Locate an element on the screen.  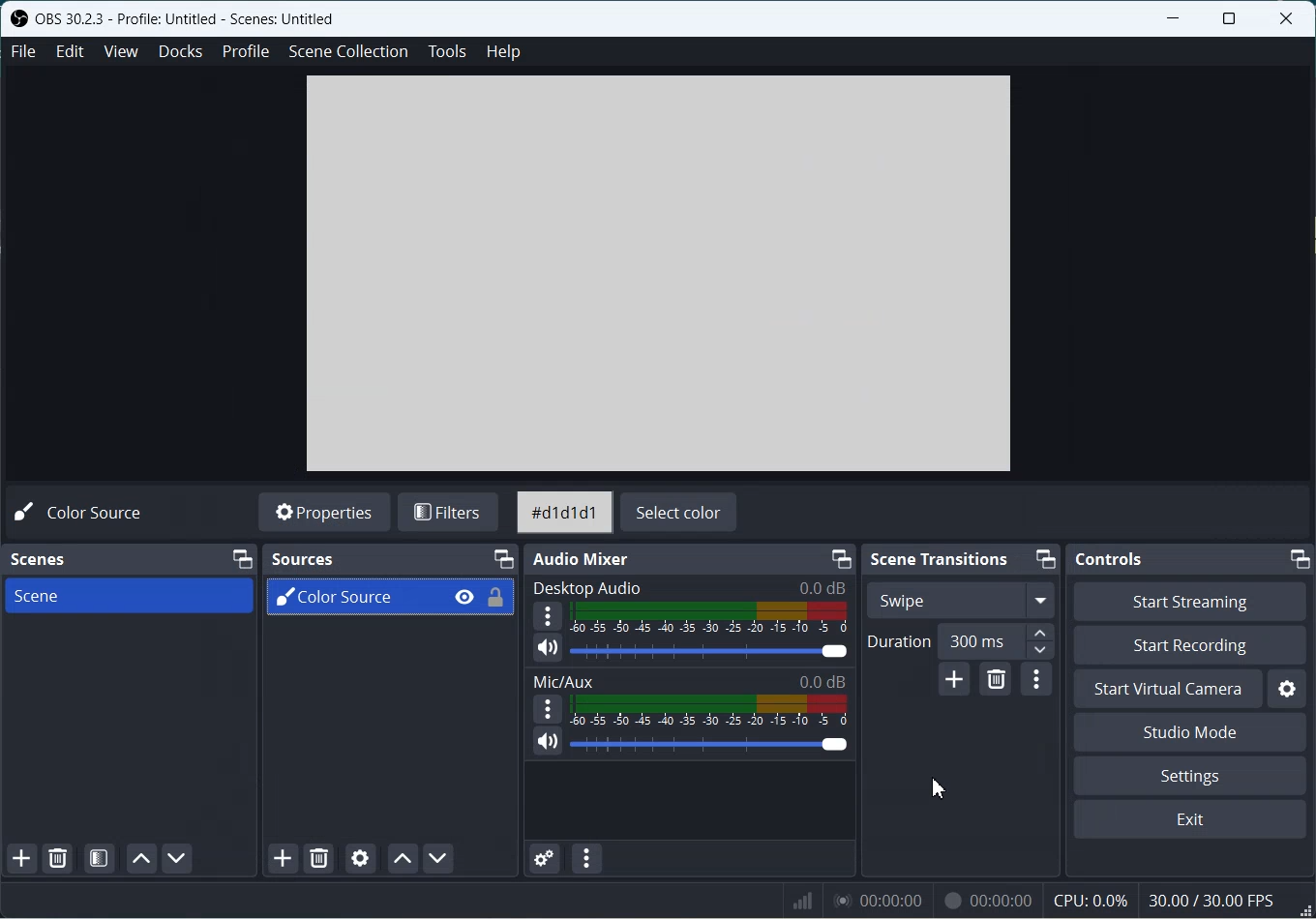
Minimize is located at coordinates (843, 558).